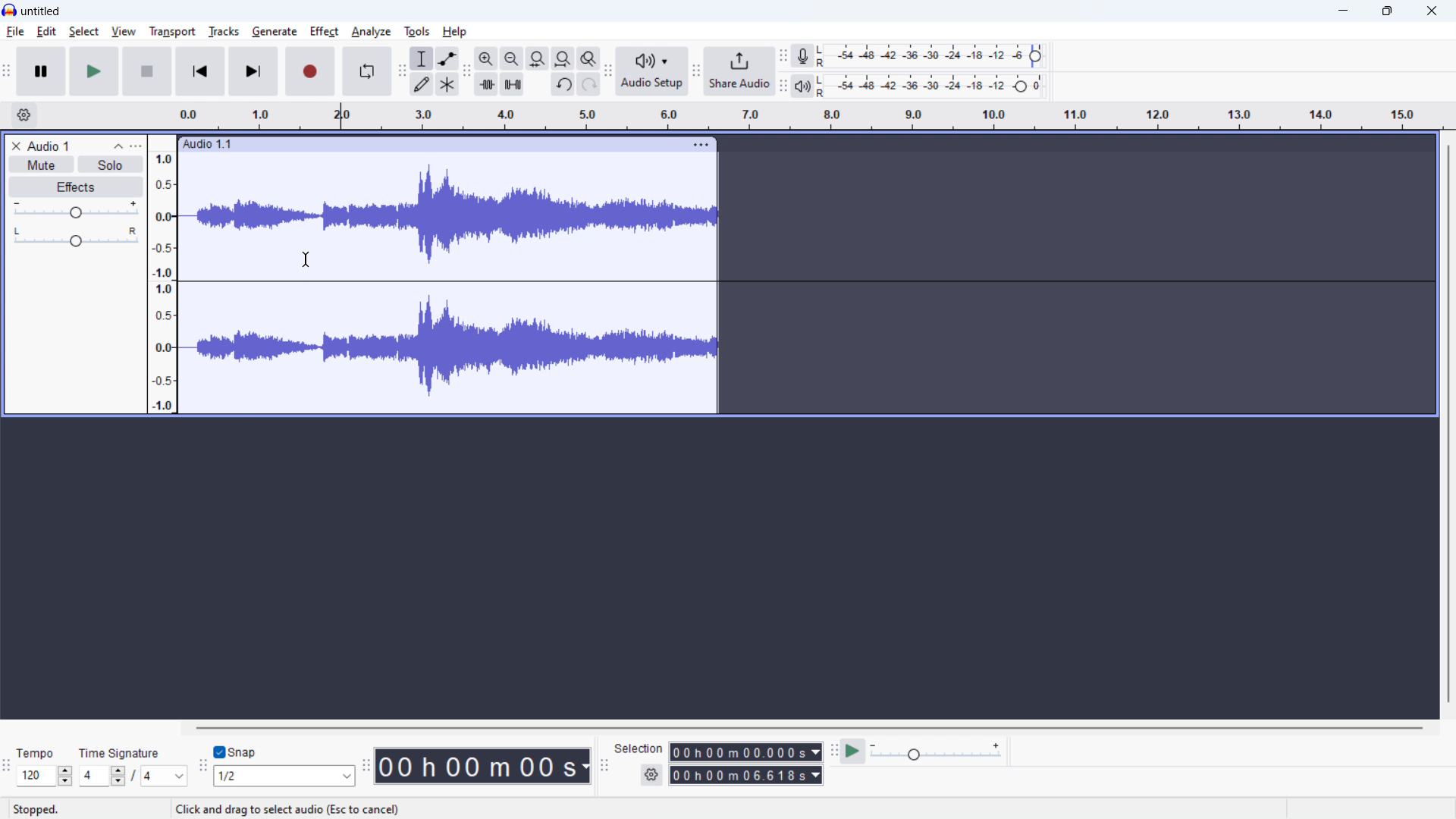  Describe the element at coordinates (15, 146) in the screenshot. I see `remove track` at that location.